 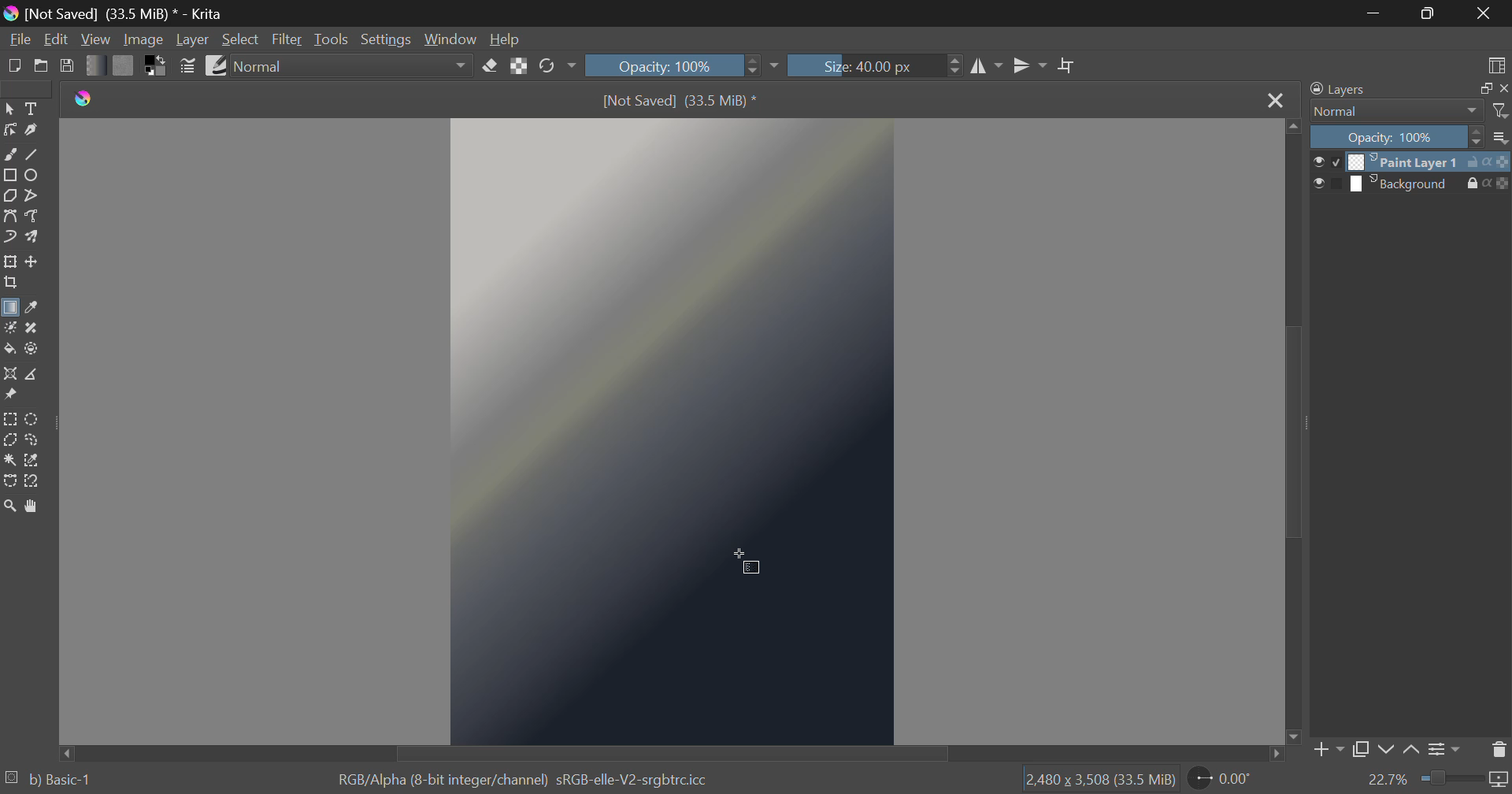 I want to click on Eraser, so click(x=491, y=64).